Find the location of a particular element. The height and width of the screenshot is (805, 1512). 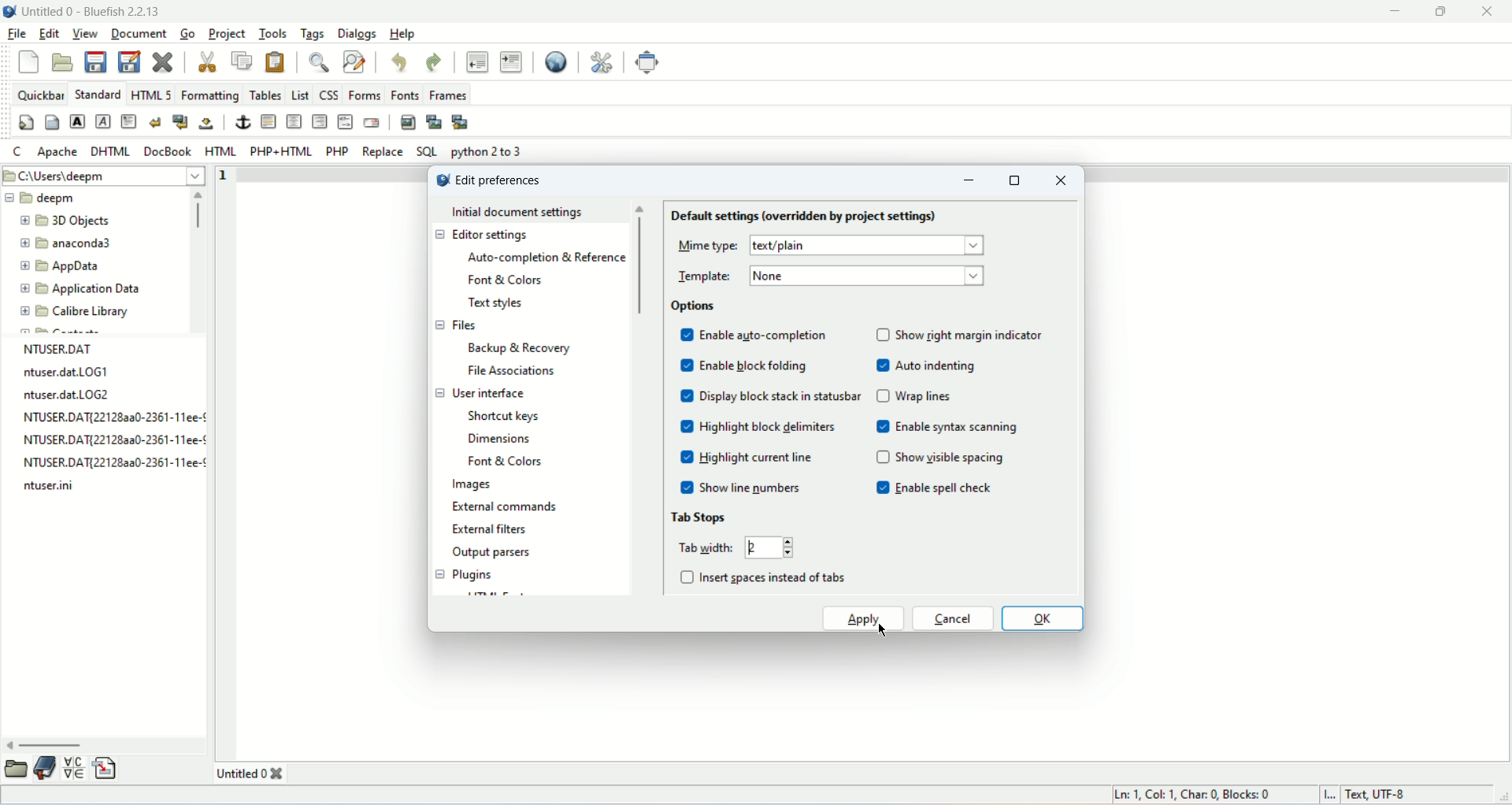

formatting is located at coordinates (209, 94).